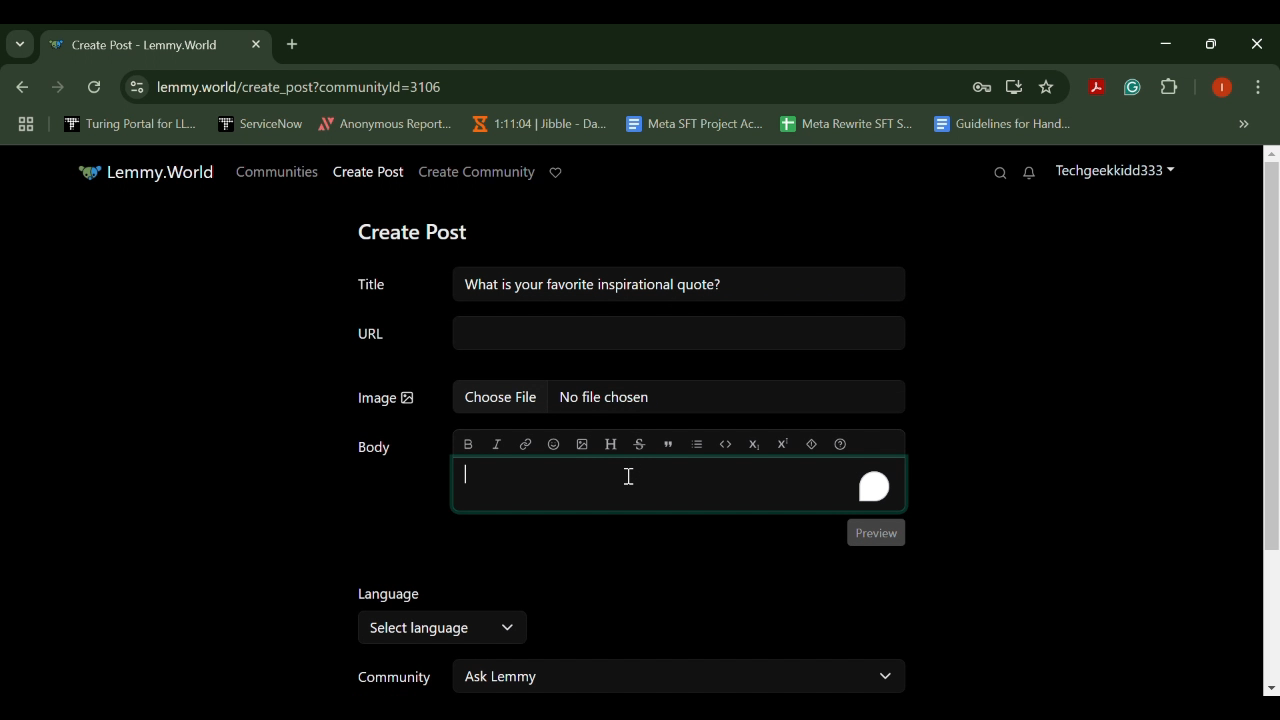 The height and width of the screenshot is (720, 1280). Describe the element at coordinates (295, 85) in the screenshot. I see `lemmy.world/create_post?communityld=3106` at that location.